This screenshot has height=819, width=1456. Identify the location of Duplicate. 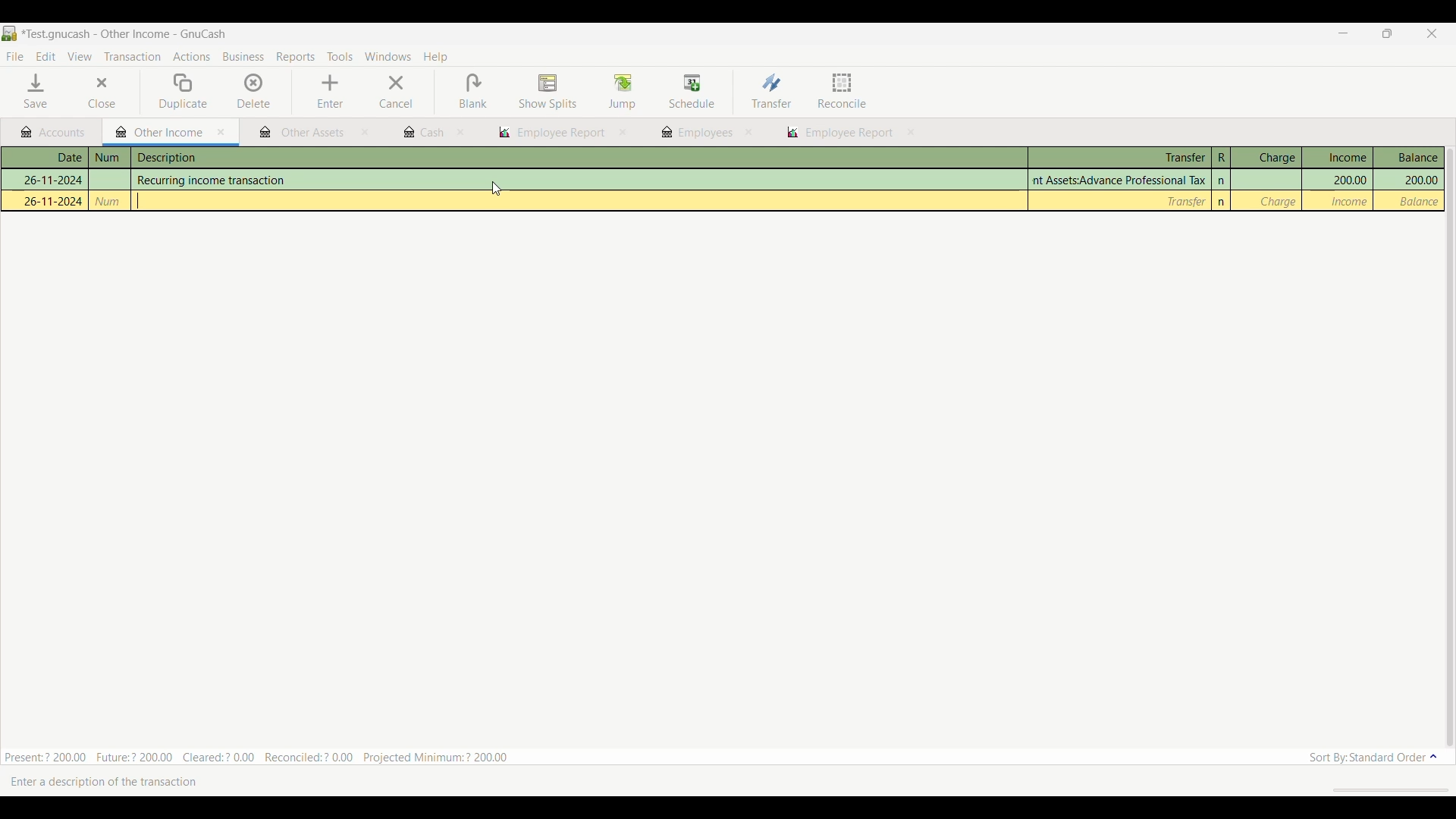
(184, 92).